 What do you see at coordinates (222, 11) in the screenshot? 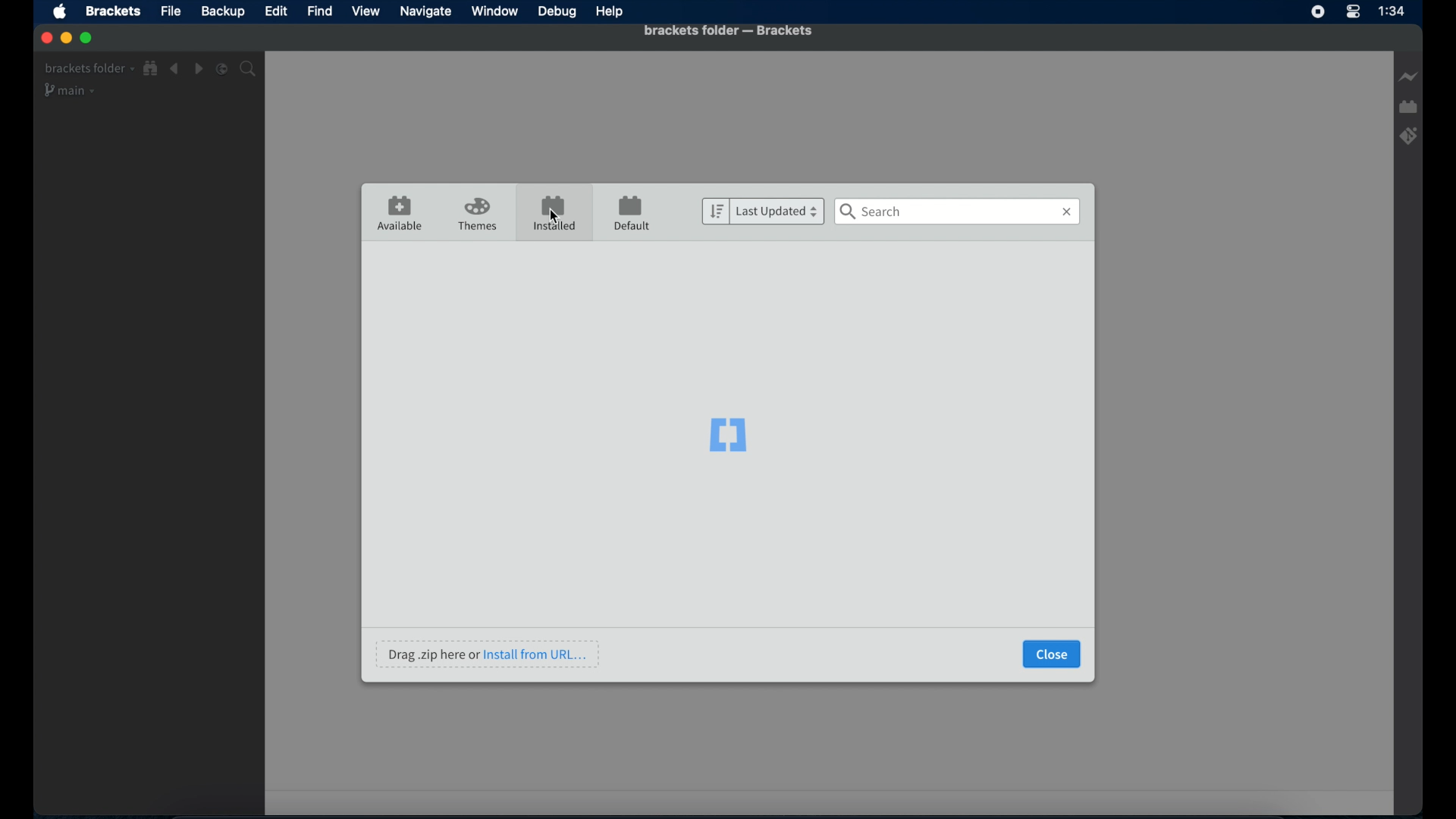
I see `Backup` at bounding box center [222, 11].